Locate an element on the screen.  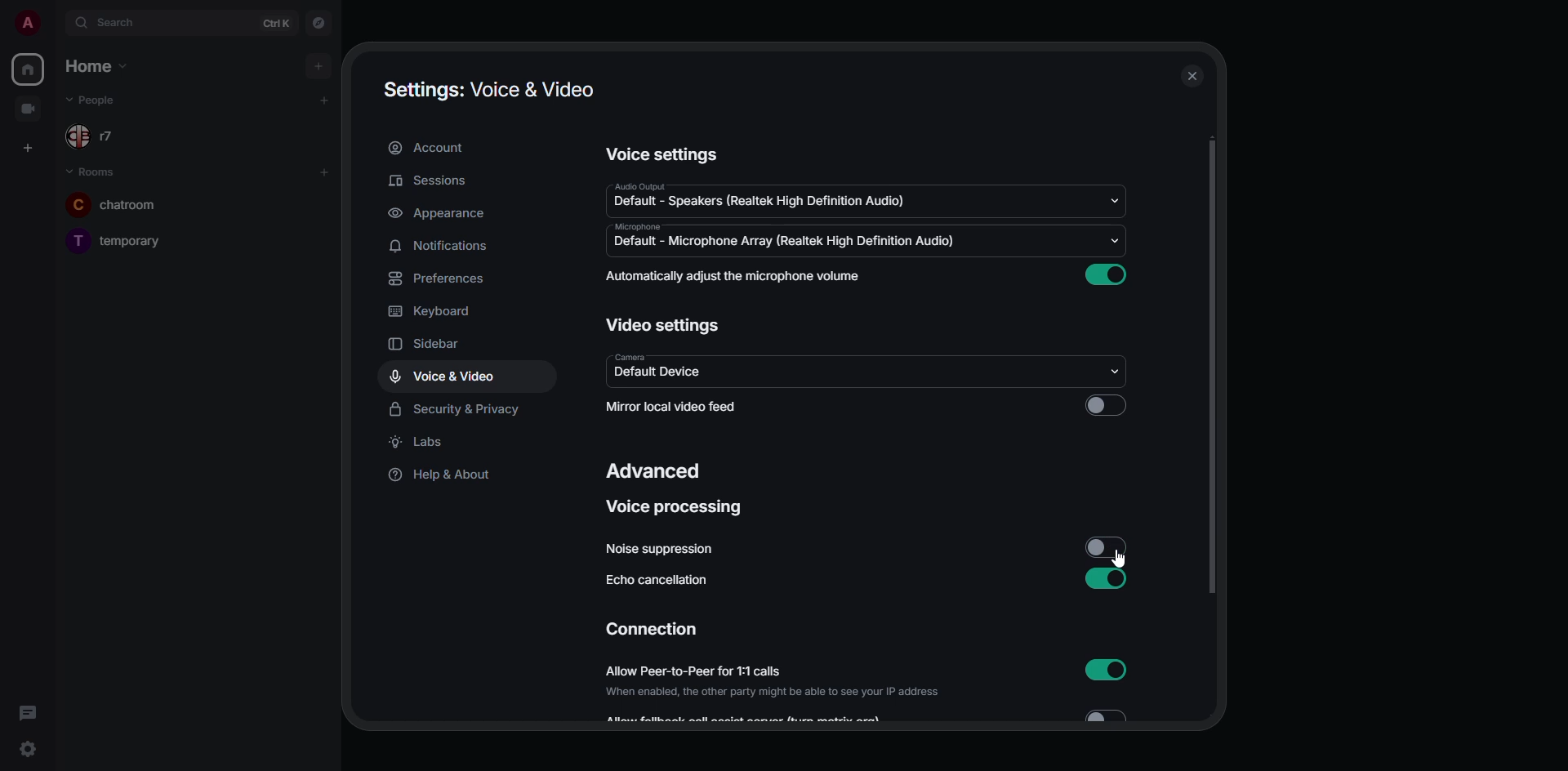
voice settings is located at coordinates (661, 155).